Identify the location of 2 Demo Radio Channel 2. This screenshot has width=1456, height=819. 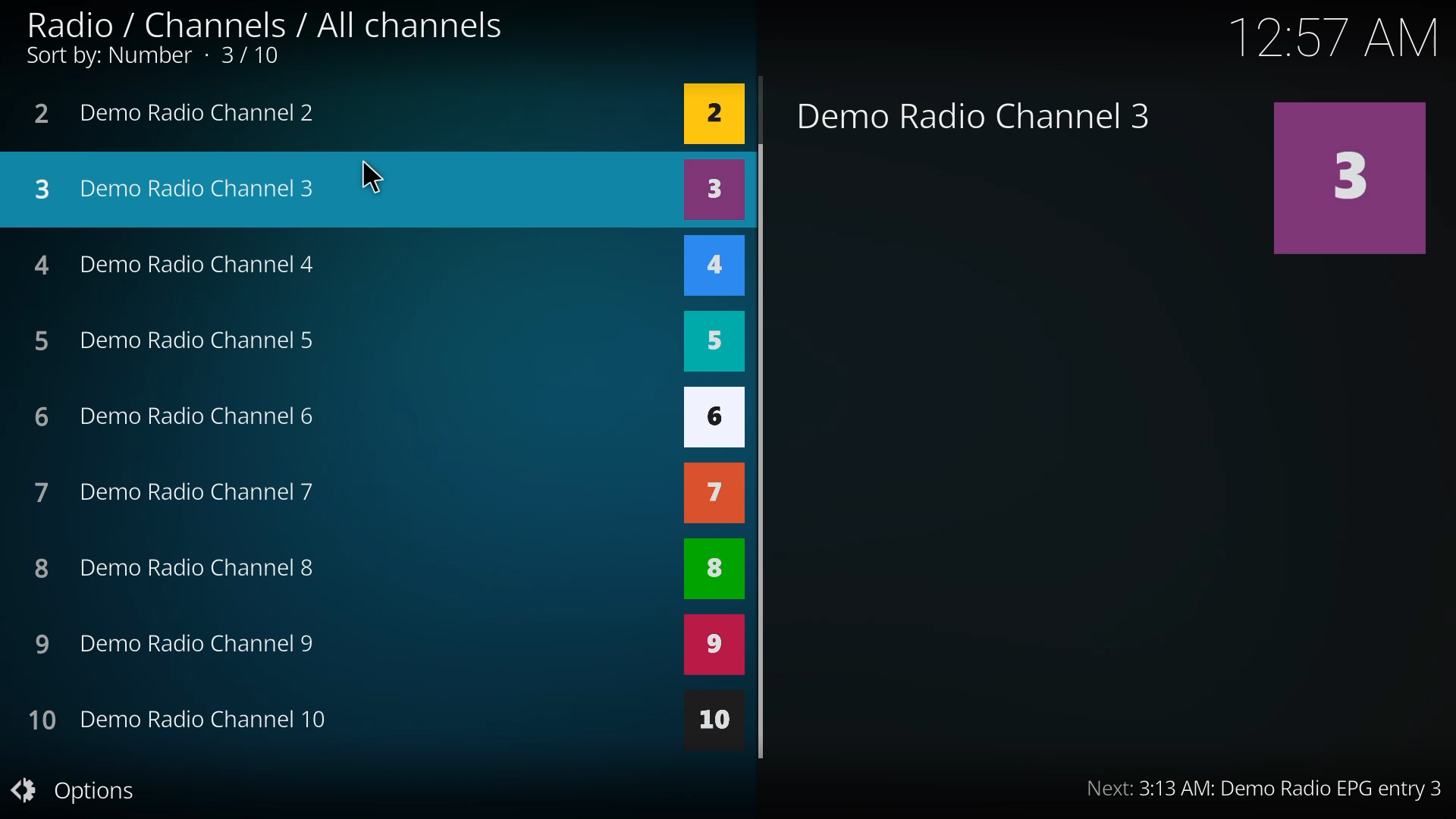
(185, 115).